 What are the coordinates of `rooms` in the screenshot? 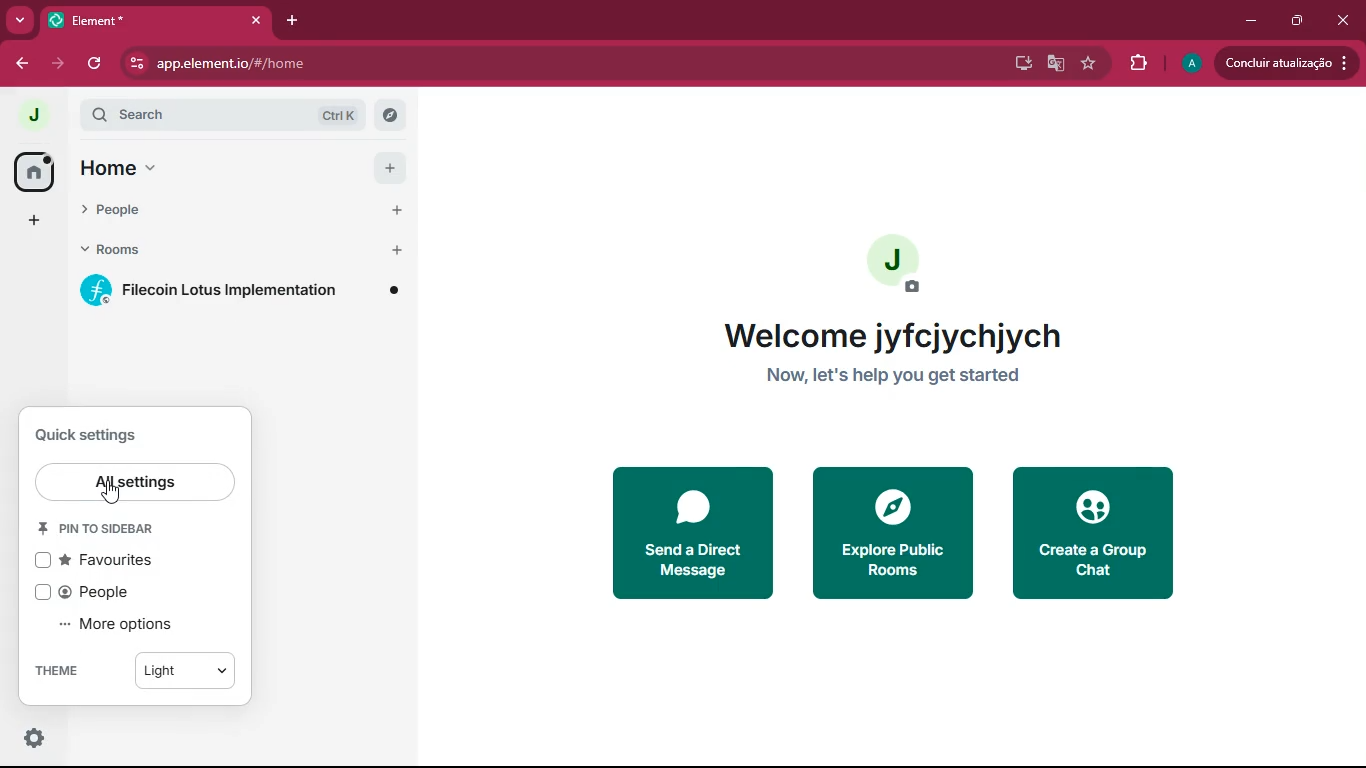 It's located at (195, 252).